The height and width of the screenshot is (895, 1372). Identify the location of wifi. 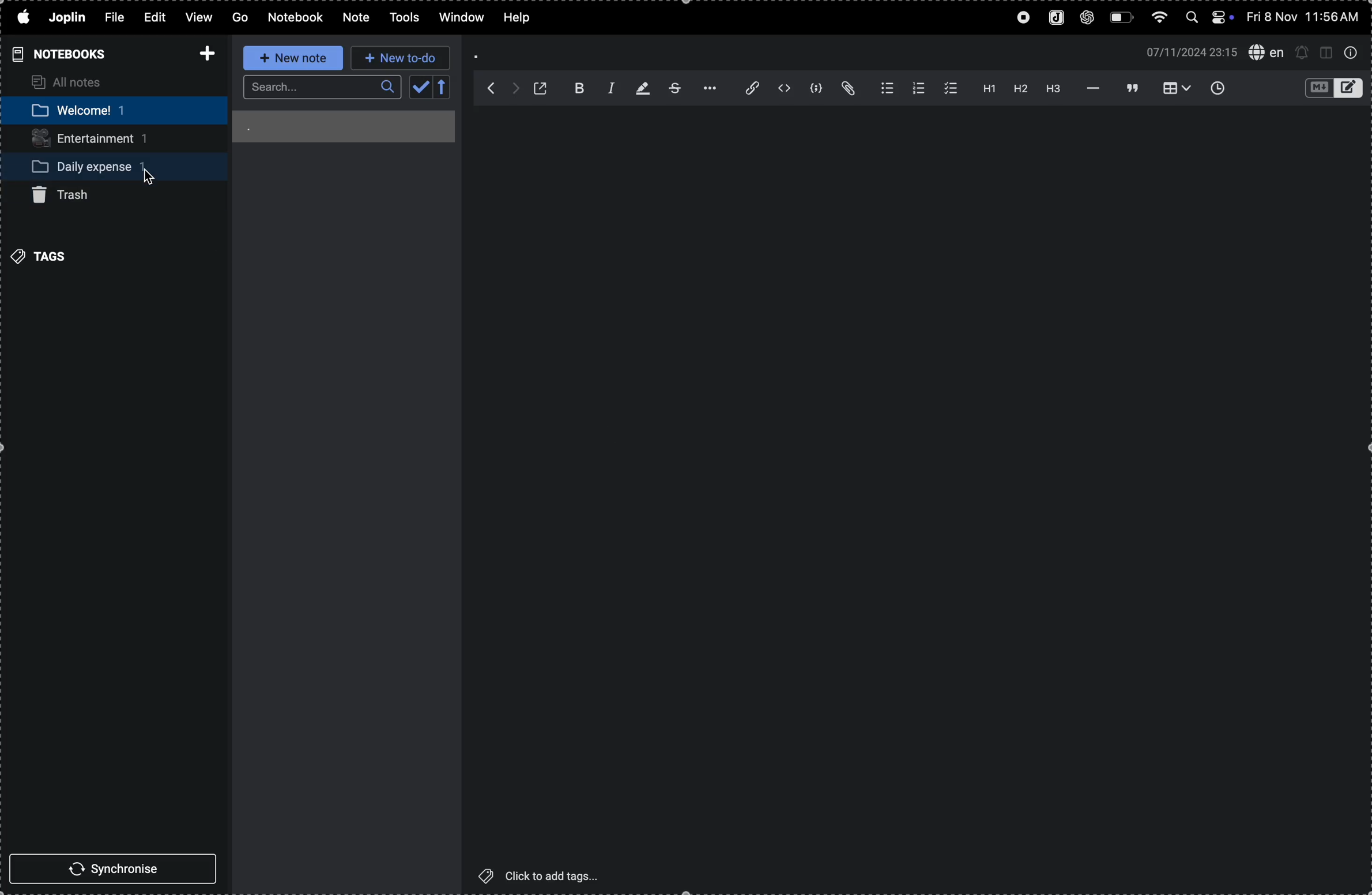
(1158, 20).